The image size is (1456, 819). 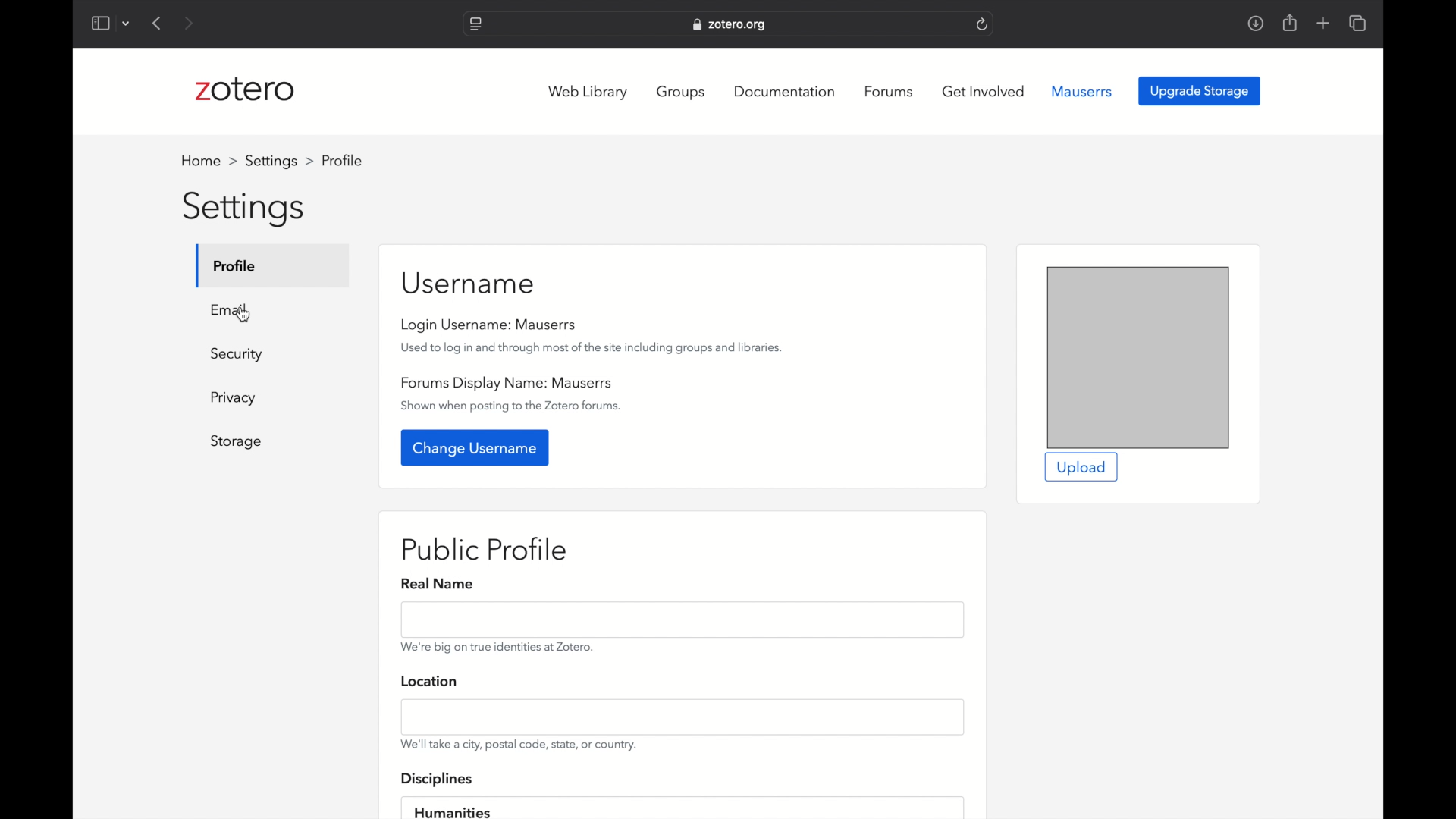 What do you see at coordinates (682, 93) in the screenshot?
I see `groups` at bounding box center [682, 93].